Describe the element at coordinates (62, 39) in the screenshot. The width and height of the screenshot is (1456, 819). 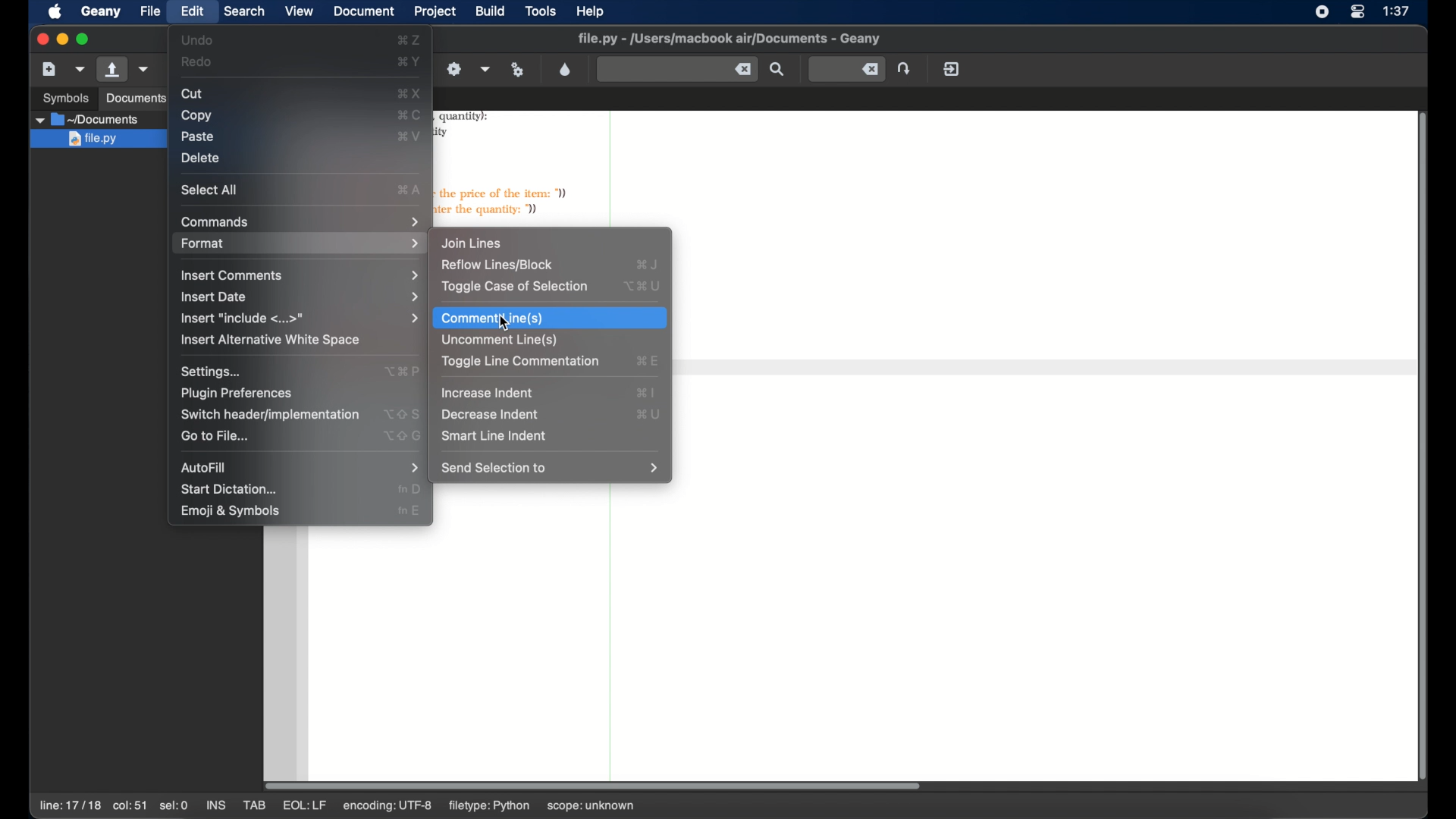
I see `minimize` at that location.